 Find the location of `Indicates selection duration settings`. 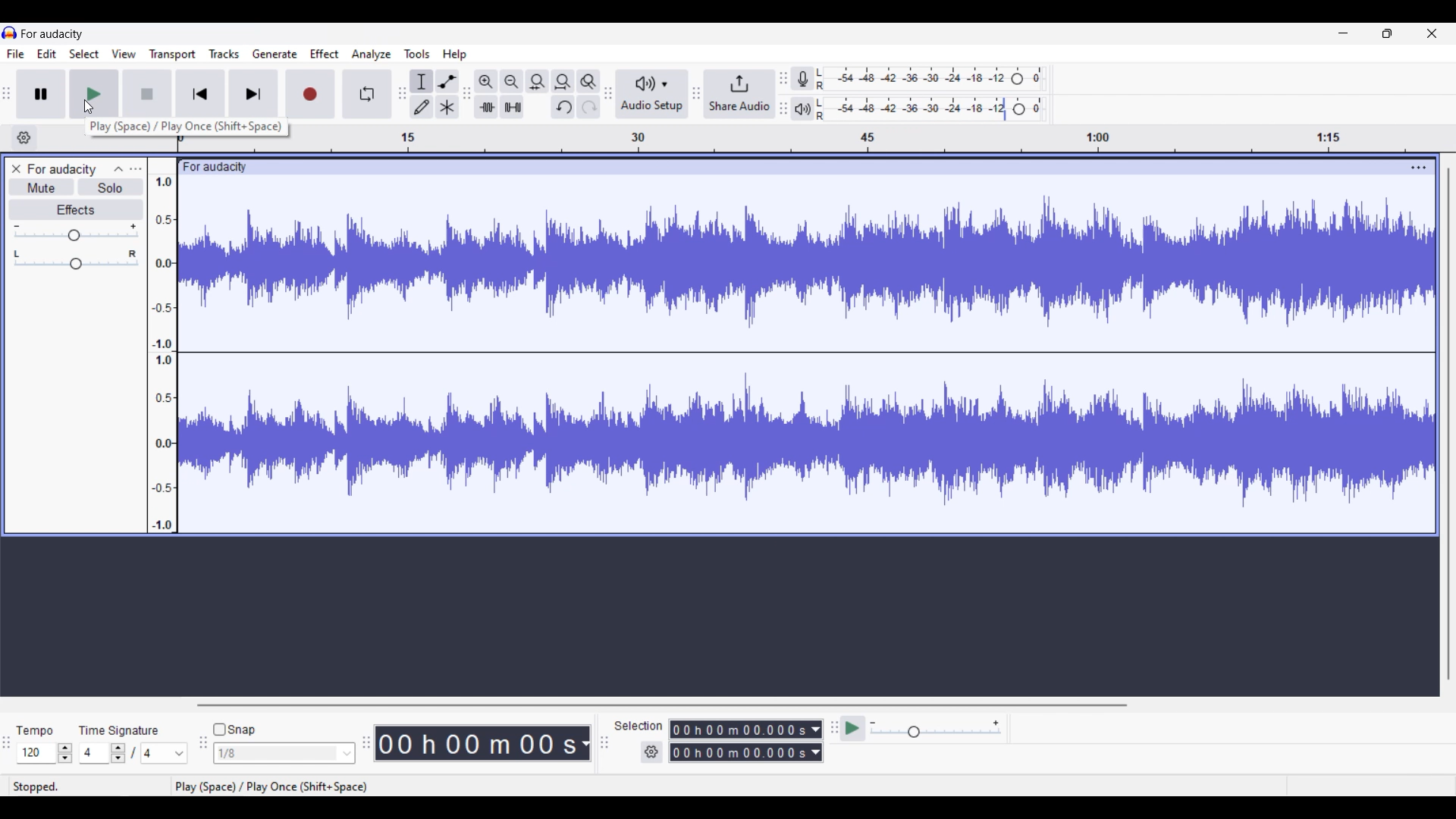

Indicates selection duration settings is located at coordinates (639, 725).